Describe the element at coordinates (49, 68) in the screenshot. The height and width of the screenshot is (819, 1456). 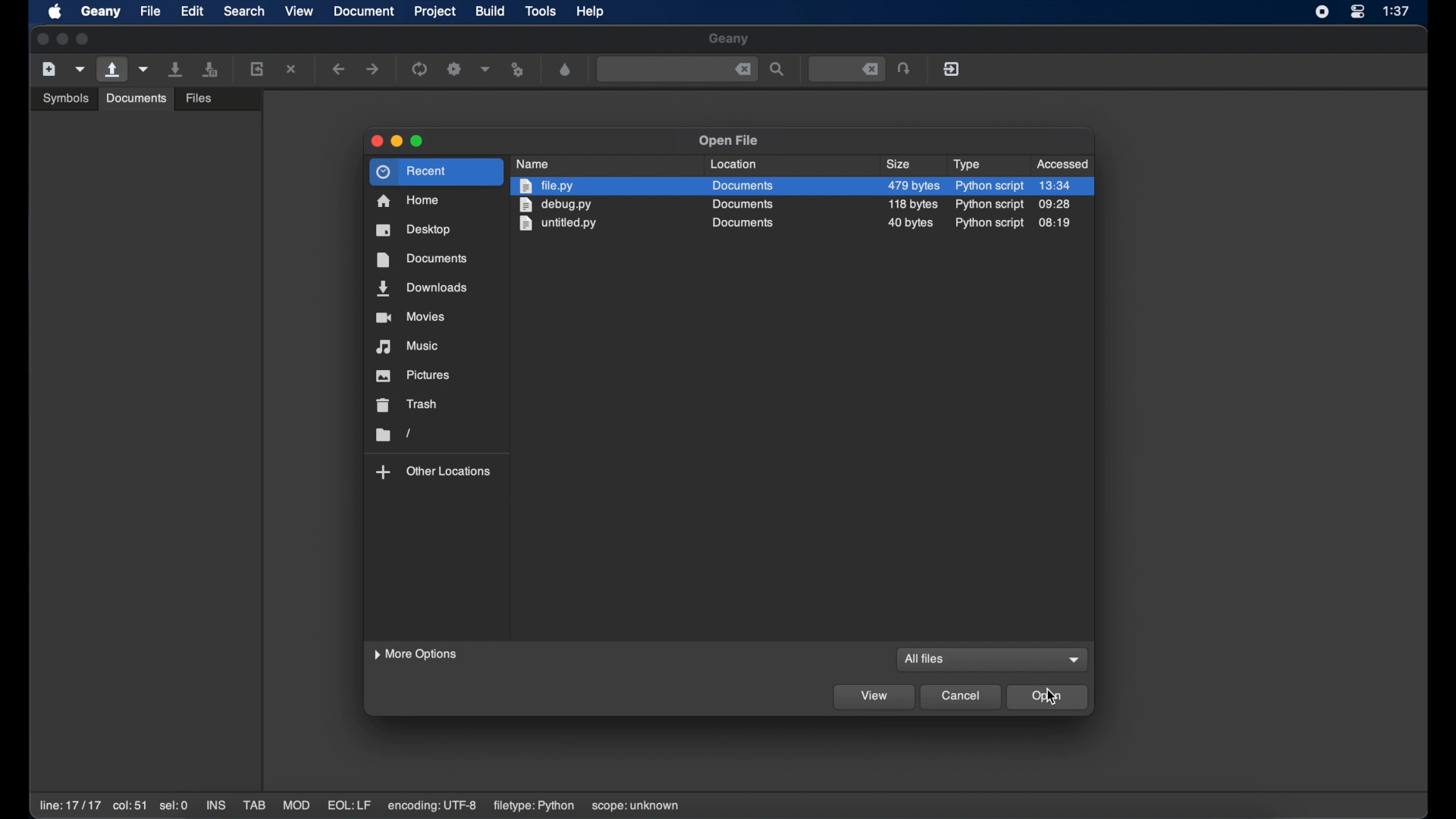
I see `new file` at that location.